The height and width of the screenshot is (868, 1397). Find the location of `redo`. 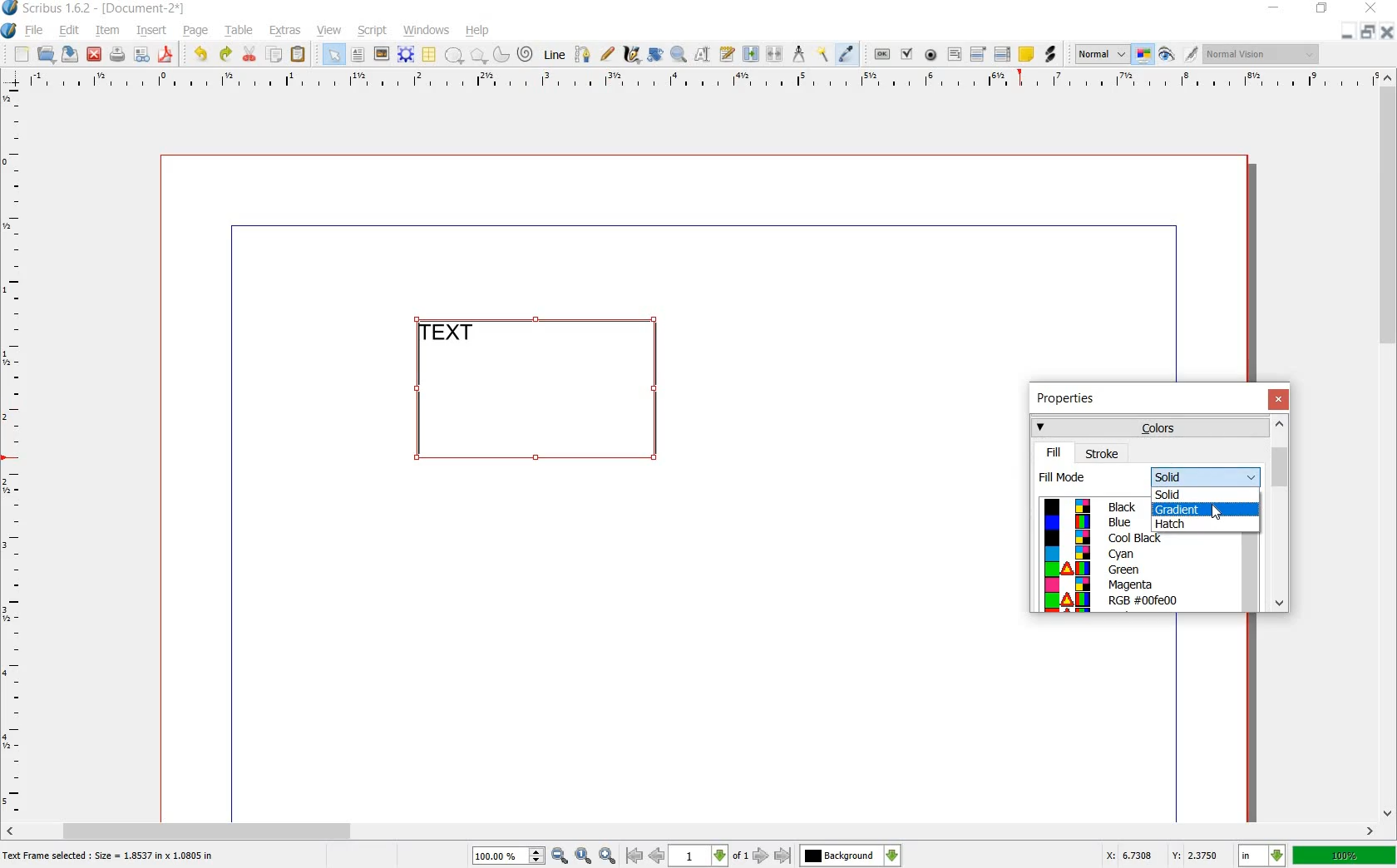

redo is located at coordinates (225, 55).